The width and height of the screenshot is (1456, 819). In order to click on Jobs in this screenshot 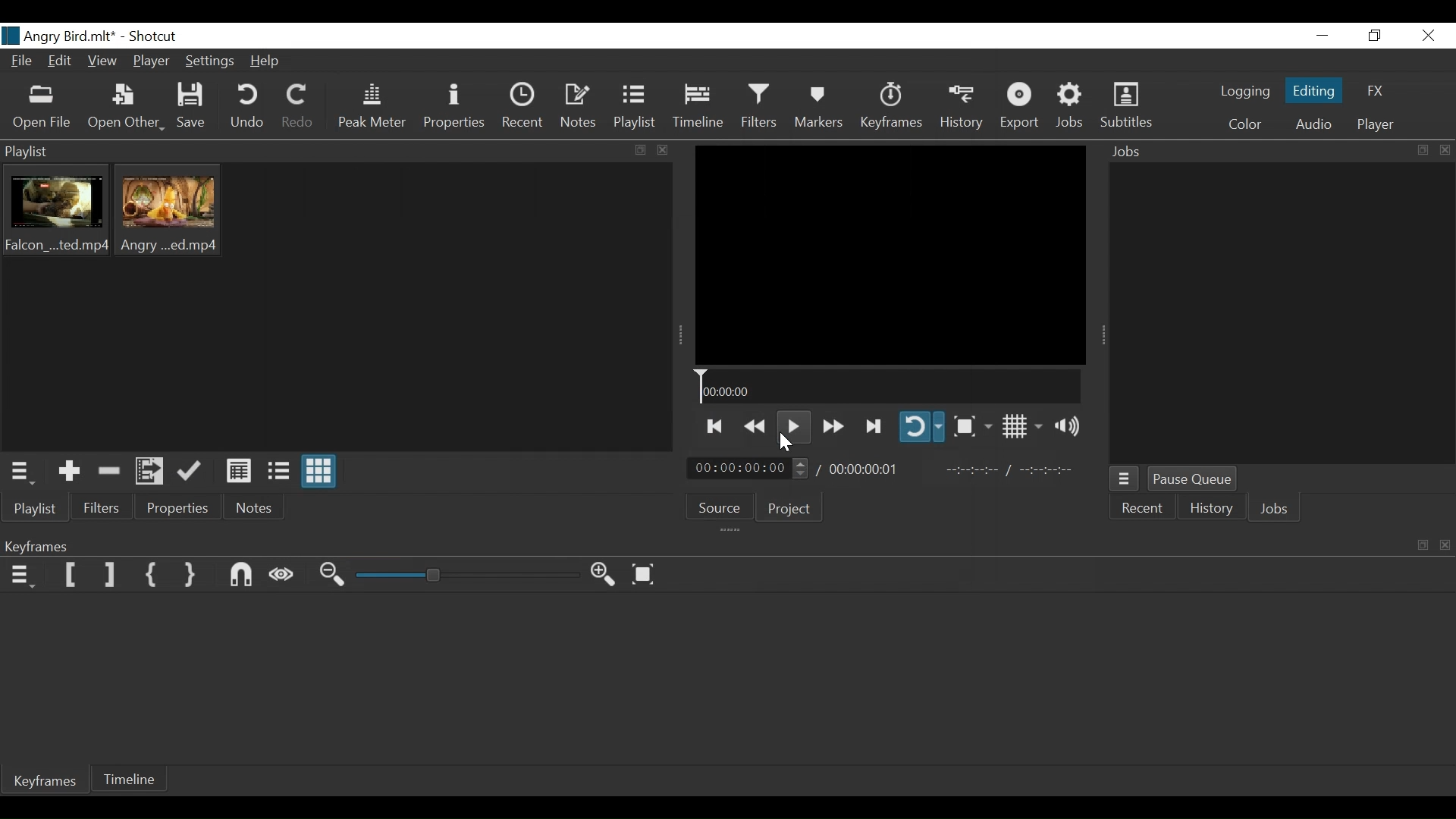, I will do `click(1070, 105)`.